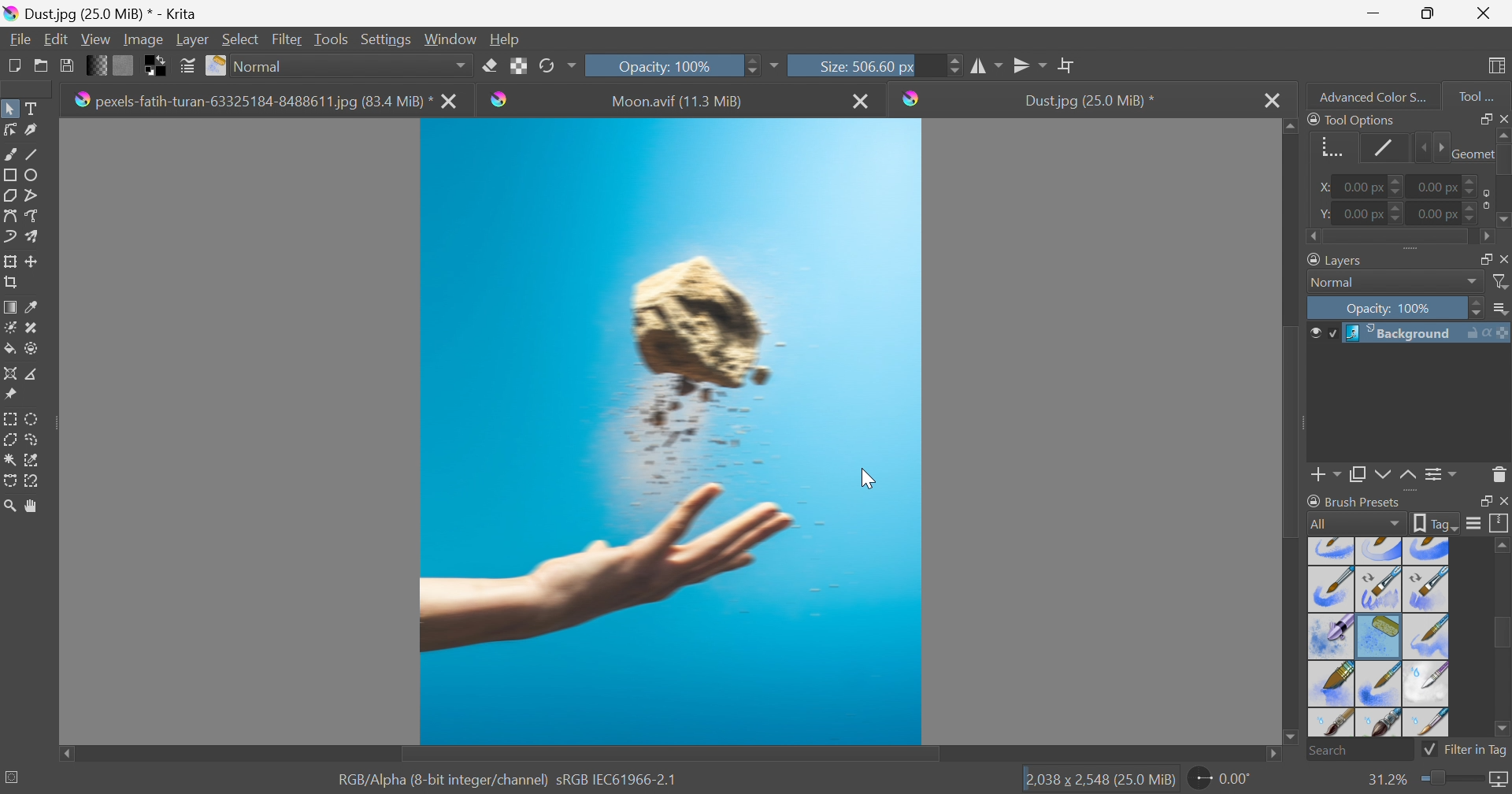 The height and width of the screenshot is (794, 1512). I want to click on Freehand path tool, so click(33, 216).